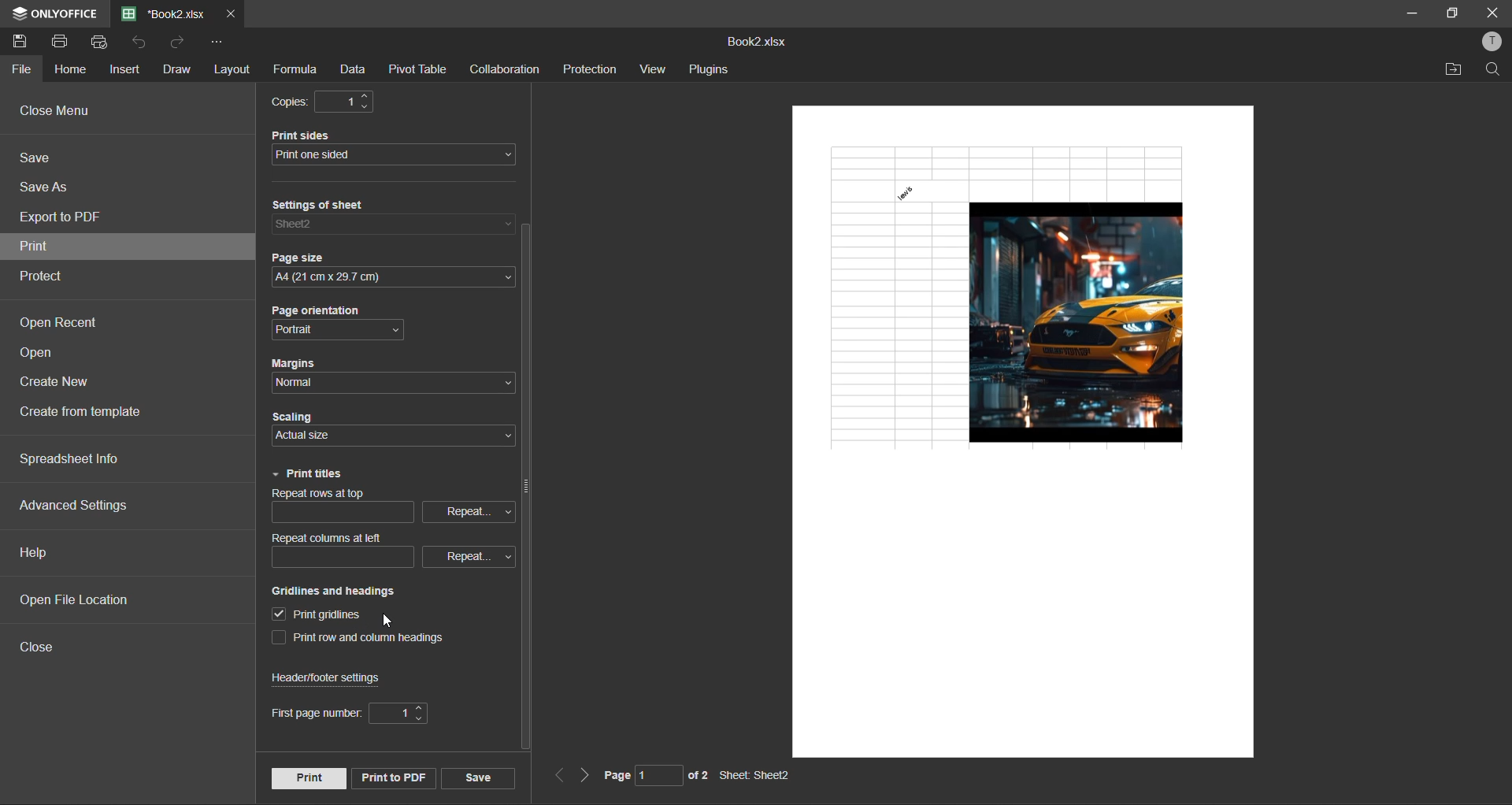 The image size is (1512, 805). Describe the element at coordinates (311, 777) in the screenshot. I see `print` at that location.